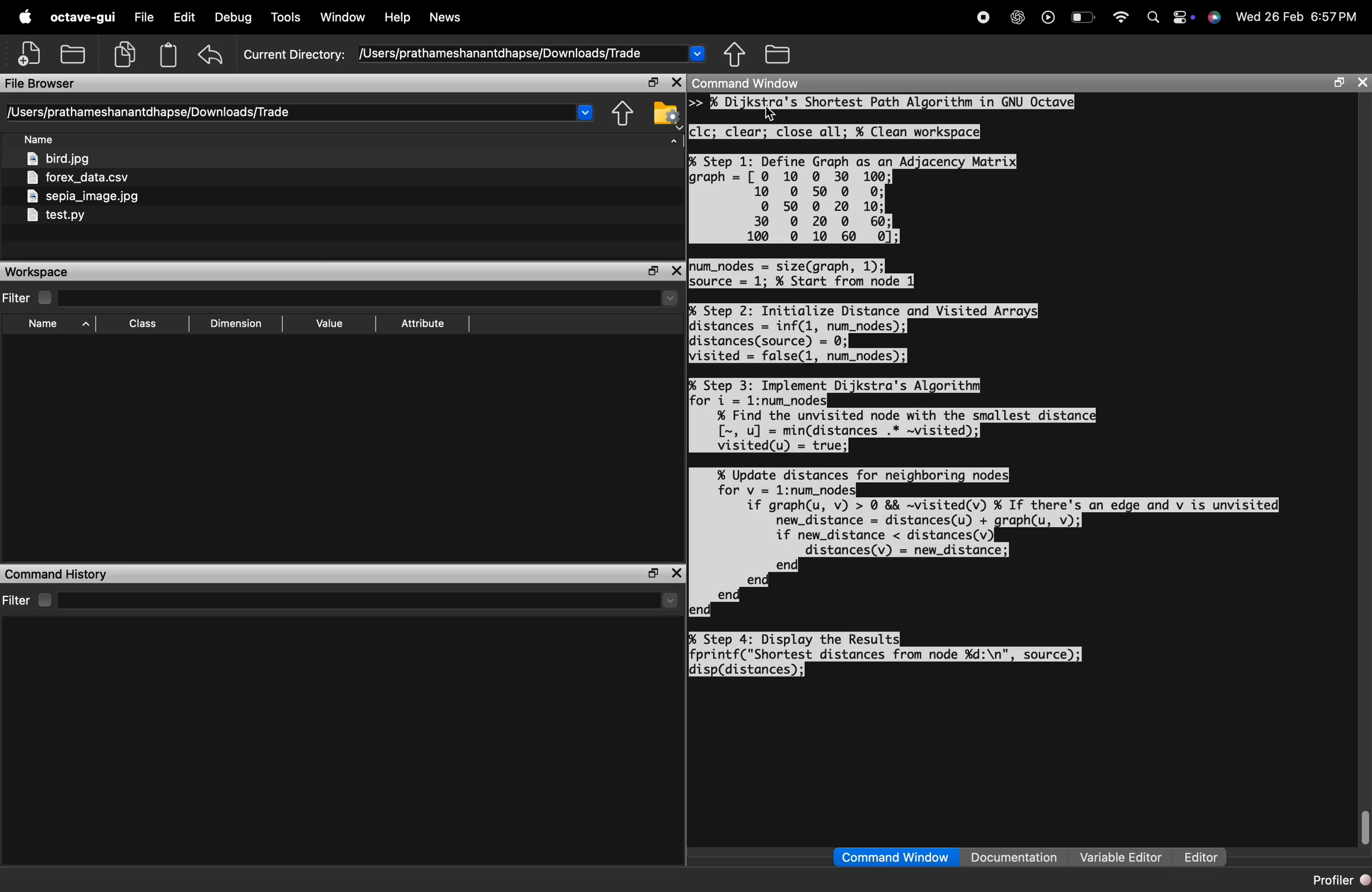 This screenshot has height=892, width=1372. Describe the element at coordinates (41, 272) in the screenshot. I see `workspace` at that location.